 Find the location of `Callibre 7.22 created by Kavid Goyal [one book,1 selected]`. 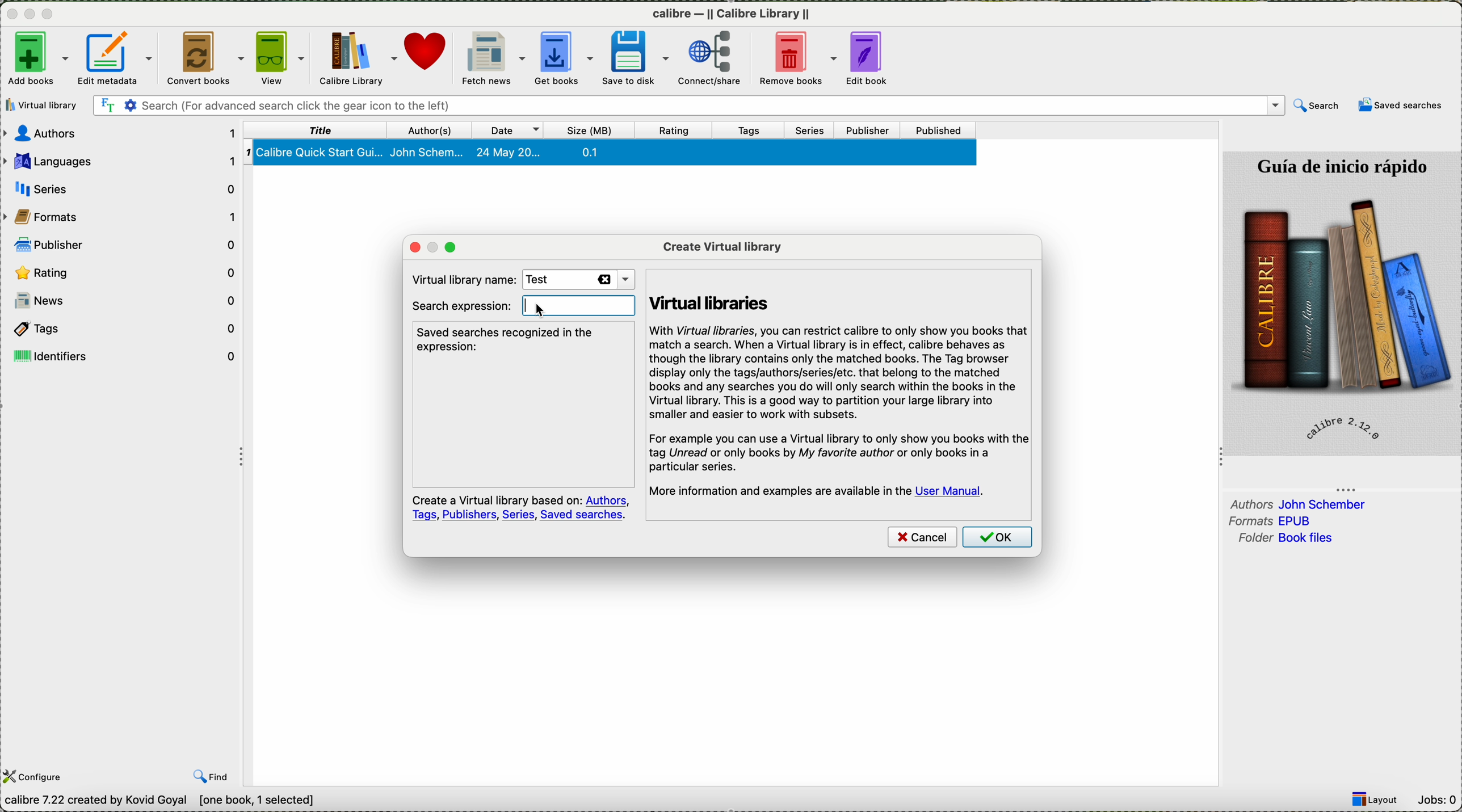

Callibre 7.22 created by Kavid Goyal [one book,1 selected] is located at coordinates (160, 801).